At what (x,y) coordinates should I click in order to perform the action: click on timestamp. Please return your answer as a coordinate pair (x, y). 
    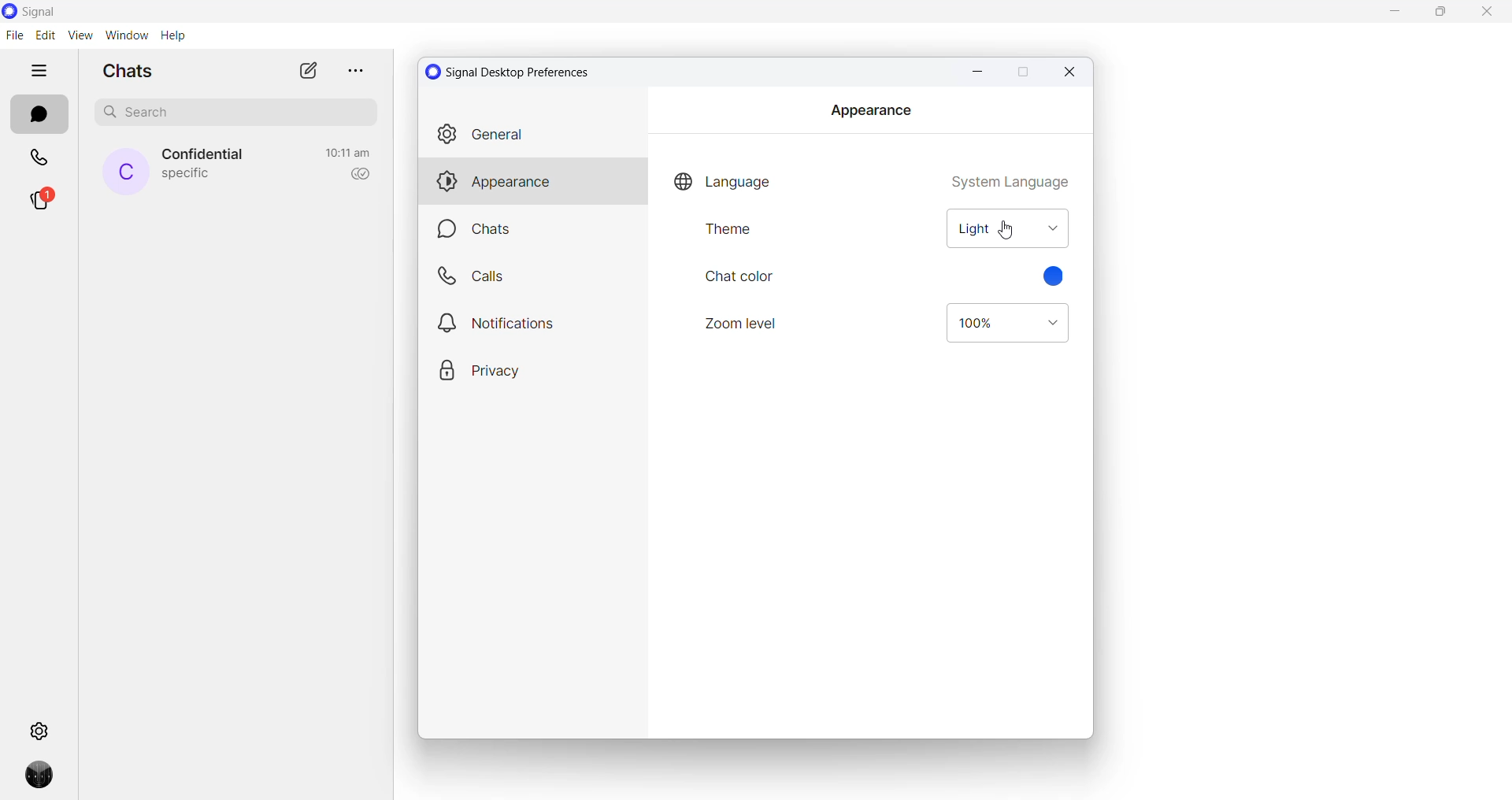
    Looking at the image, I should click on (348, 153).